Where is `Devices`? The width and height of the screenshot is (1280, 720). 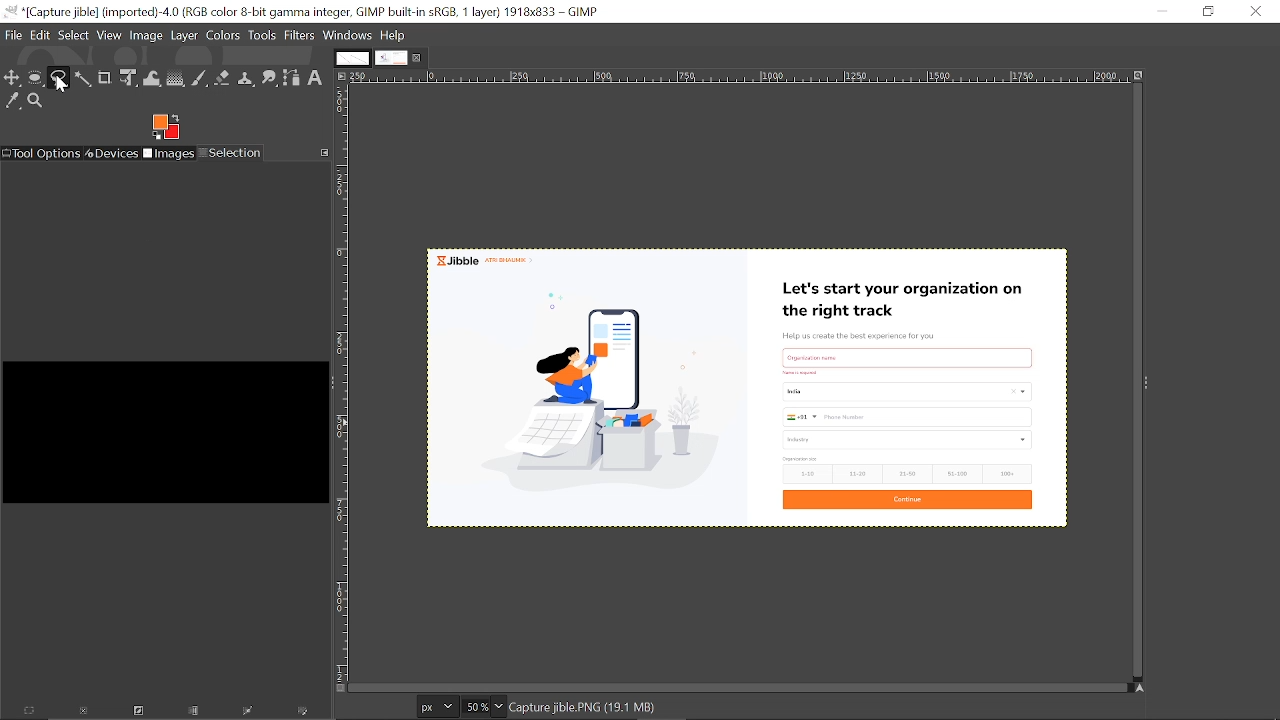 Devices is located at coordinates (113, 153).